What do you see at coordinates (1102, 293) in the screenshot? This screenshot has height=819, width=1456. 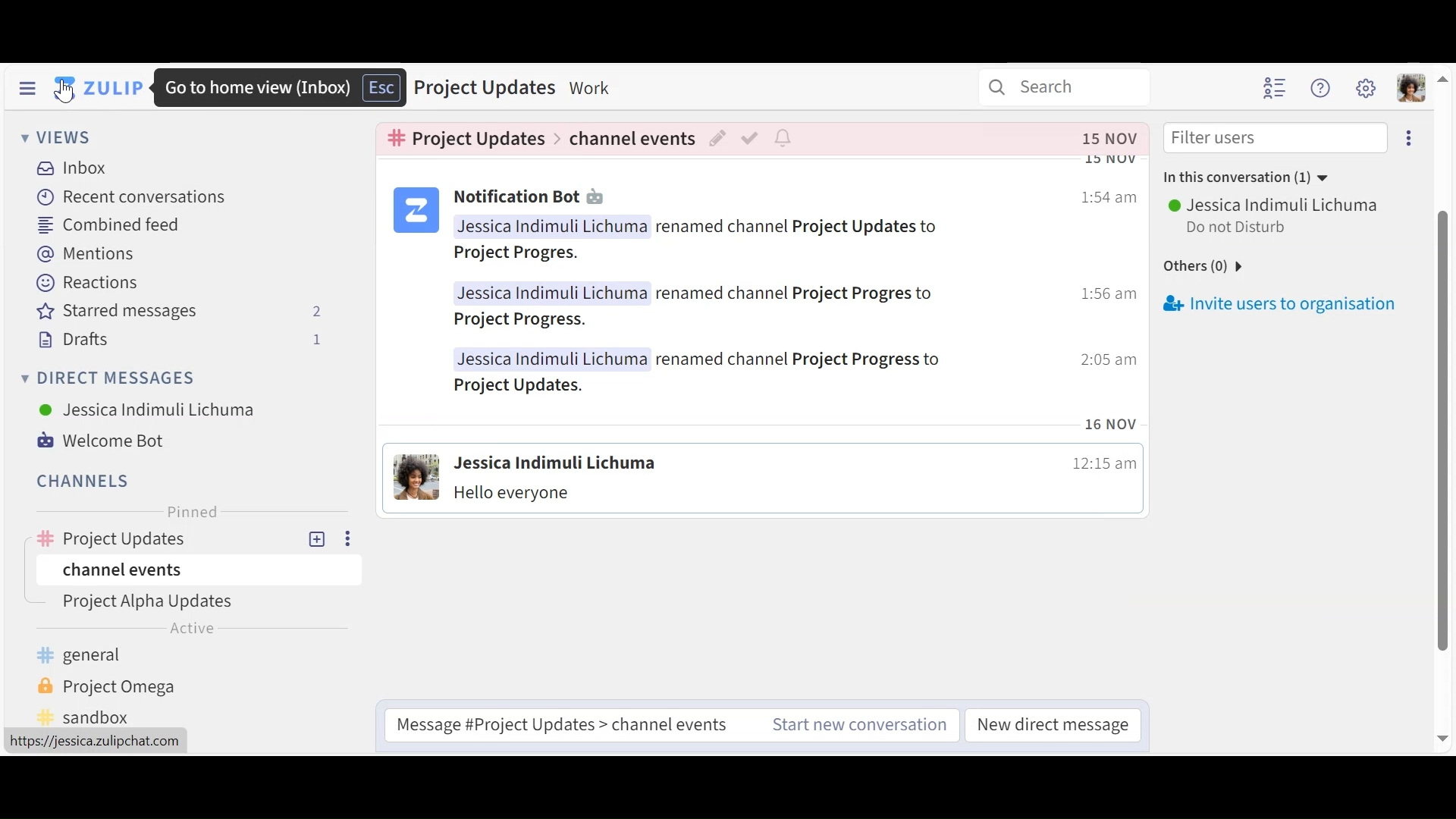 I see `time` at bounding box center [1102, 293].